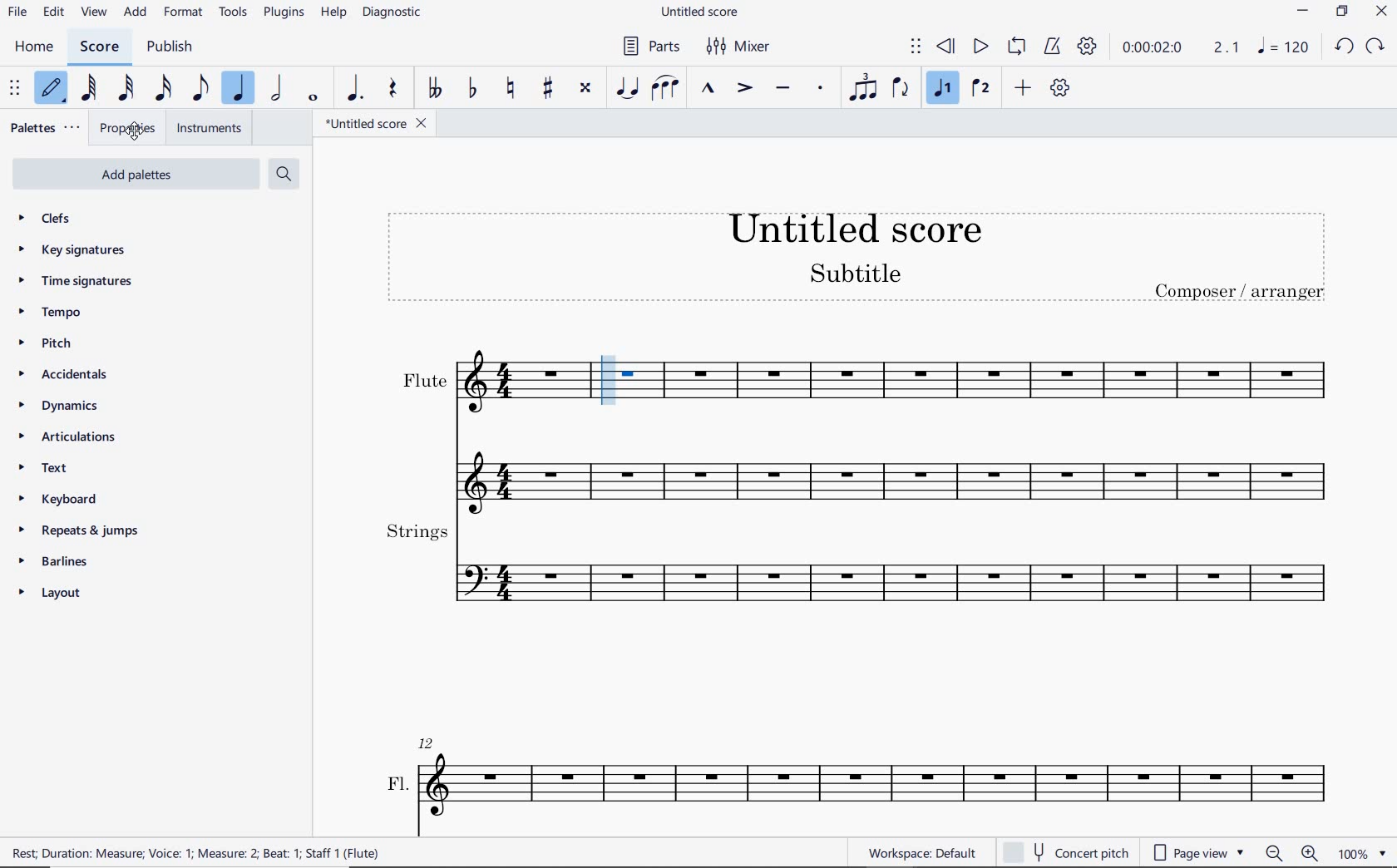  I want to click on home, so click(35, 47).